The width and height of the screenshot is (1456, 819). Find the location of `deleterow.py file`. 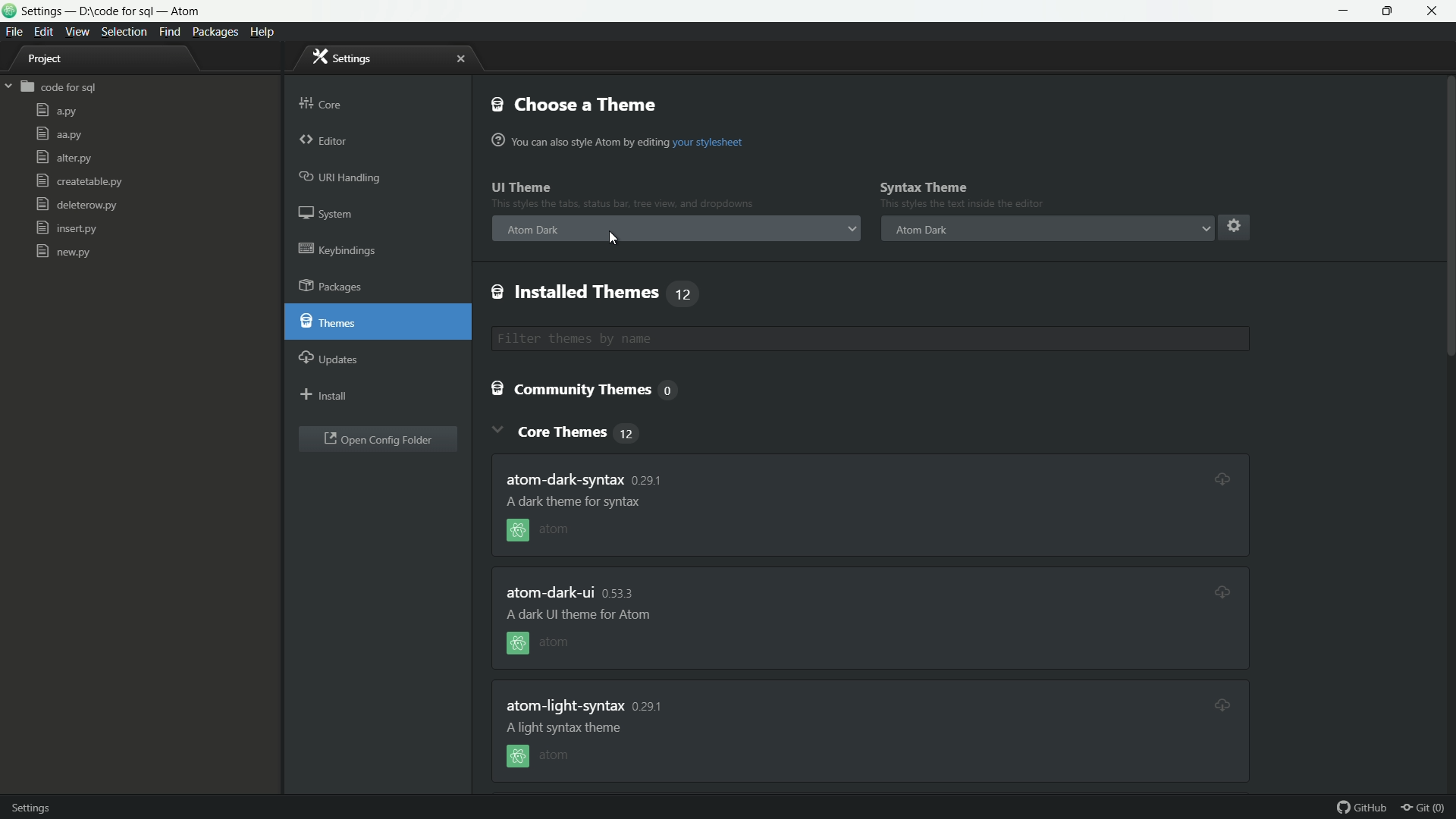

deleterow.py file is located at coordinates (76, 206).